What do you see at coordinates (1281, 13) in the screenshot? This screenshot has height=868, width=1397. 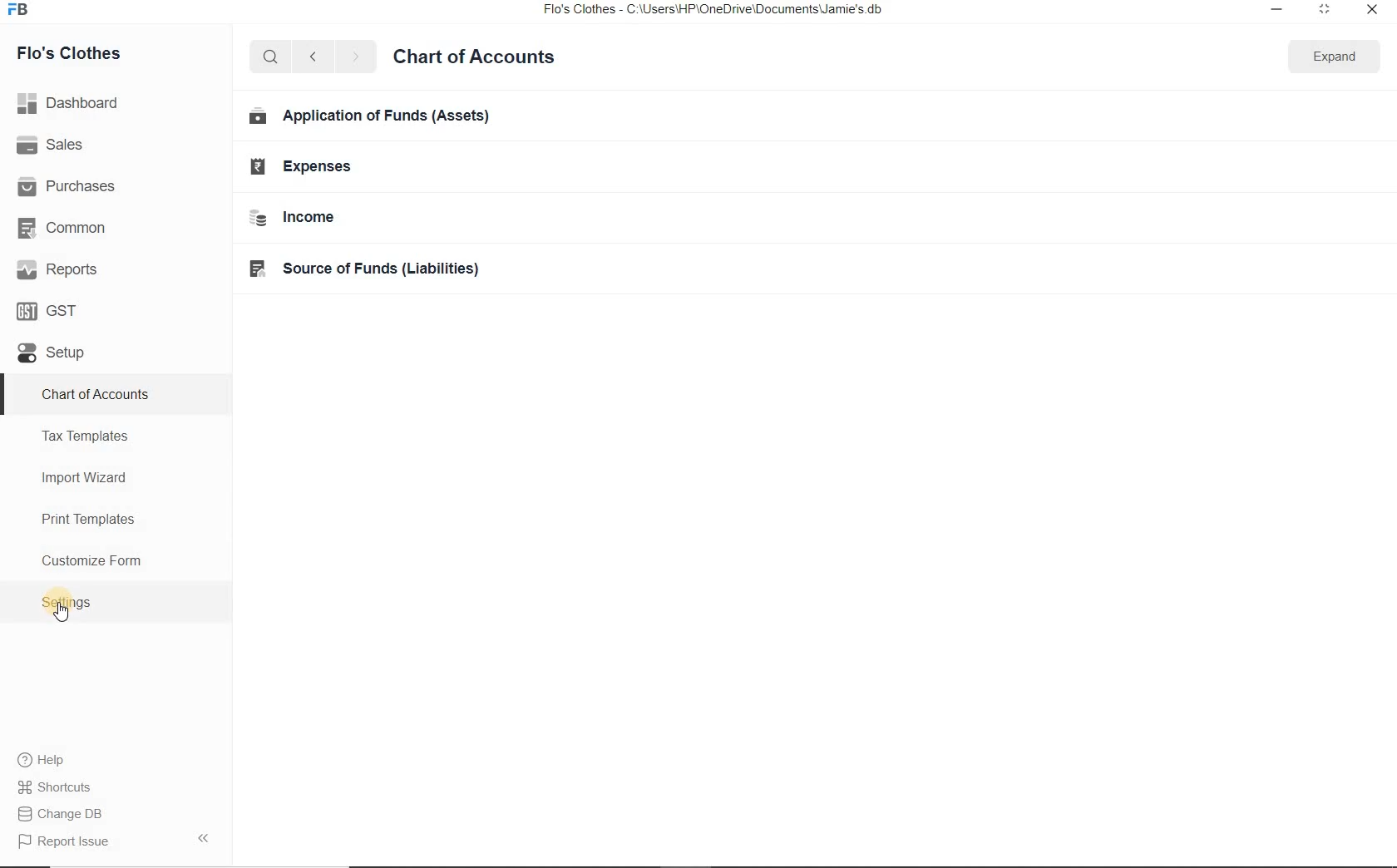 I see `minimize` at bounding box center [1281, 13].